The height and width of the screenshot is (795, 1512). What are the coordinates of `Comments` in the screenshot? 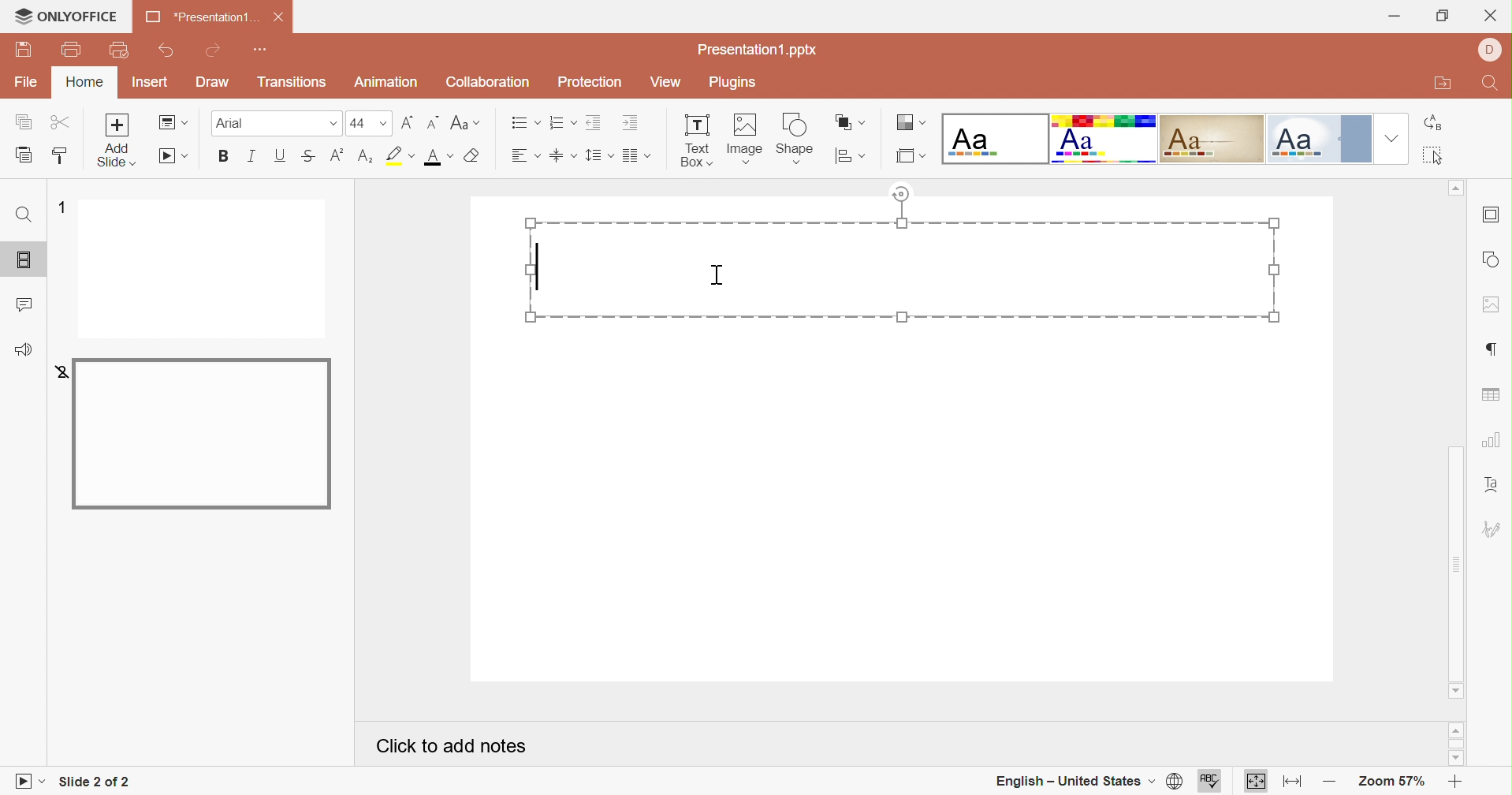 It's located at (27, 304).